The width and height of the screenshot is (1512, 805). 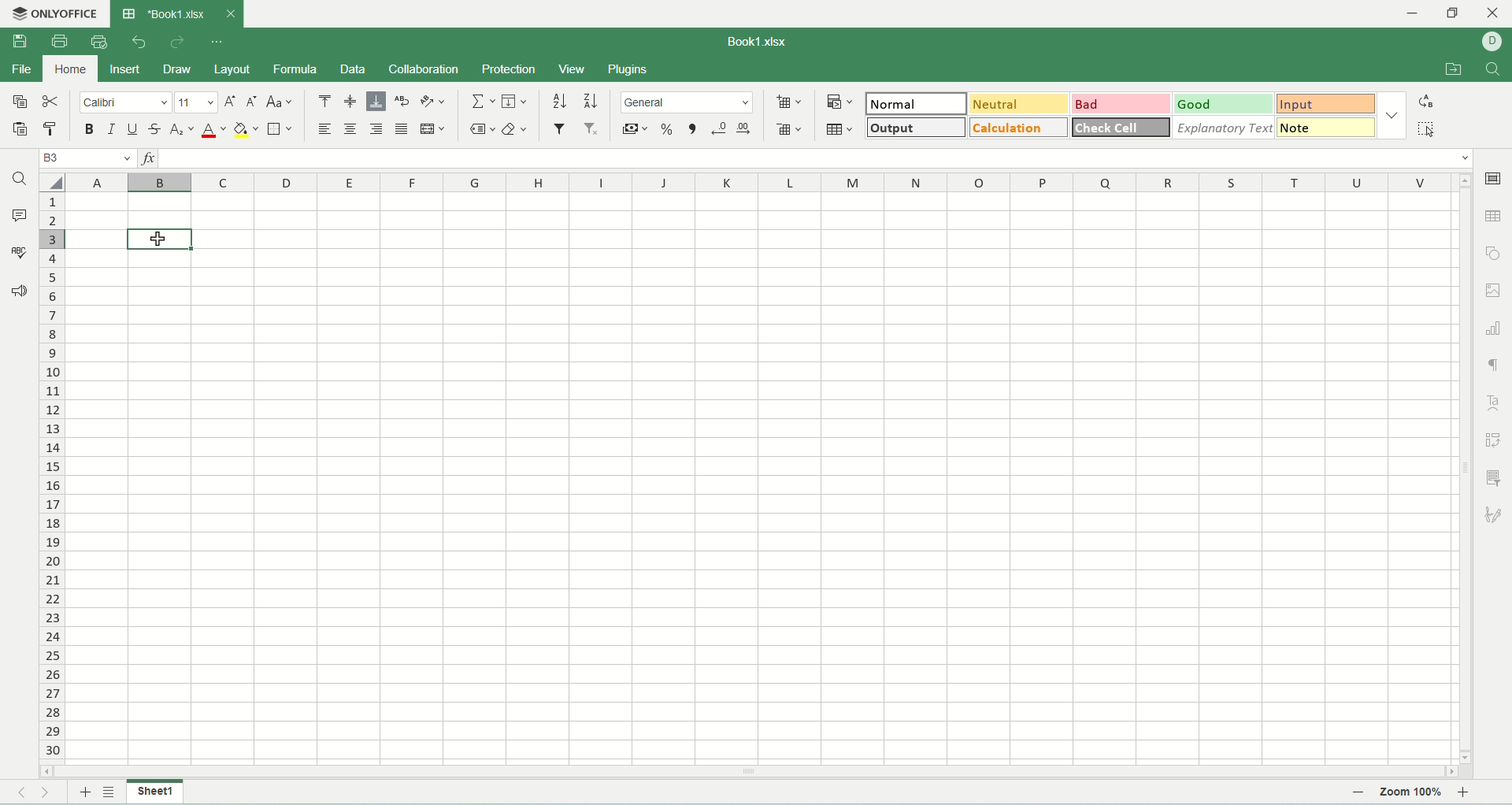 I want to click on open file location, so click(x=1455, y=71).